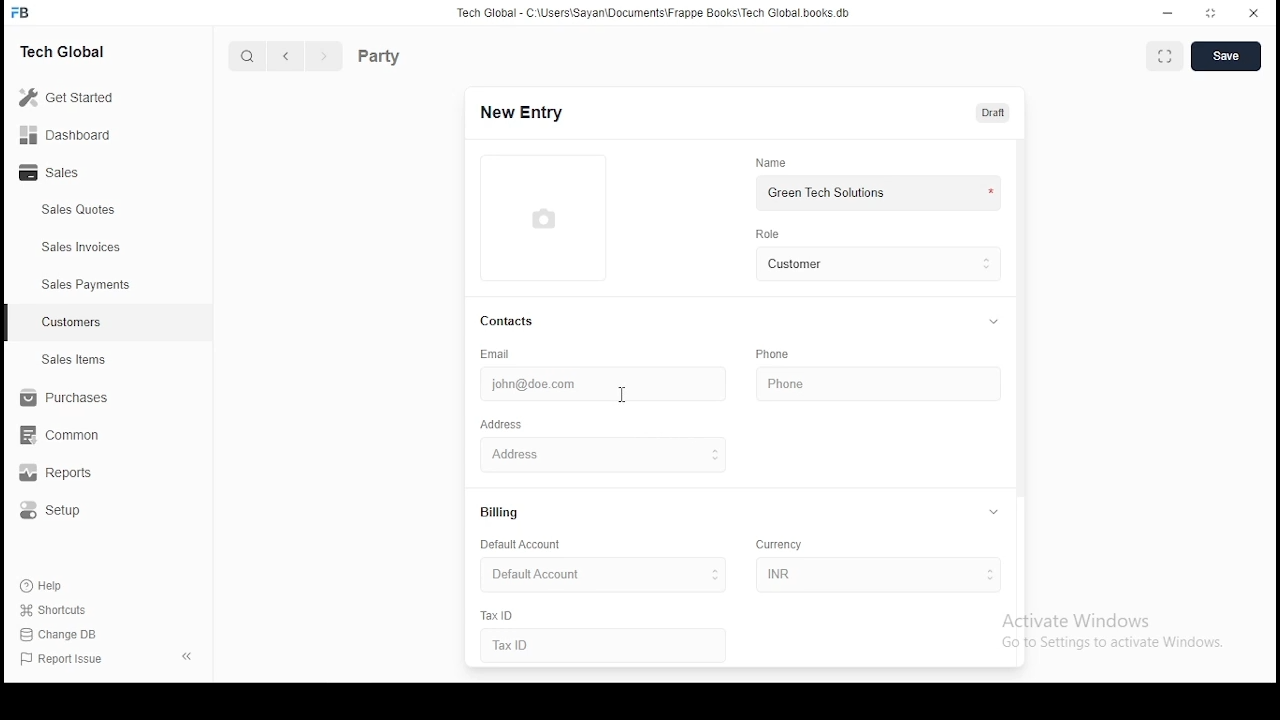 The height and width of the screenshot is (720, 1280). Describe the element at coordinates (539, 645) in the screenshot. I see `Tax ID` at that location.